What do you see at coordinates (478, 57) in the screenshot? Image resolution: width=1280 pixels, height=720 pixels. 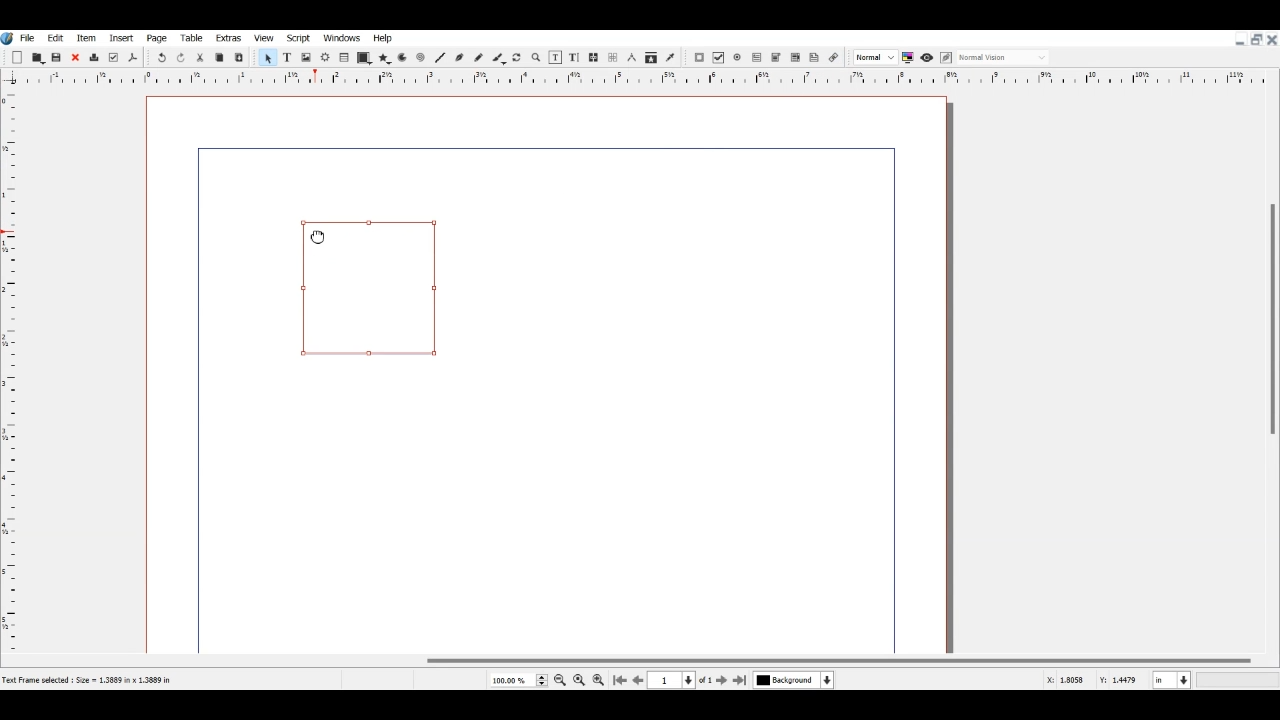 I see `Freehand line` at bounding box center [478, 57].